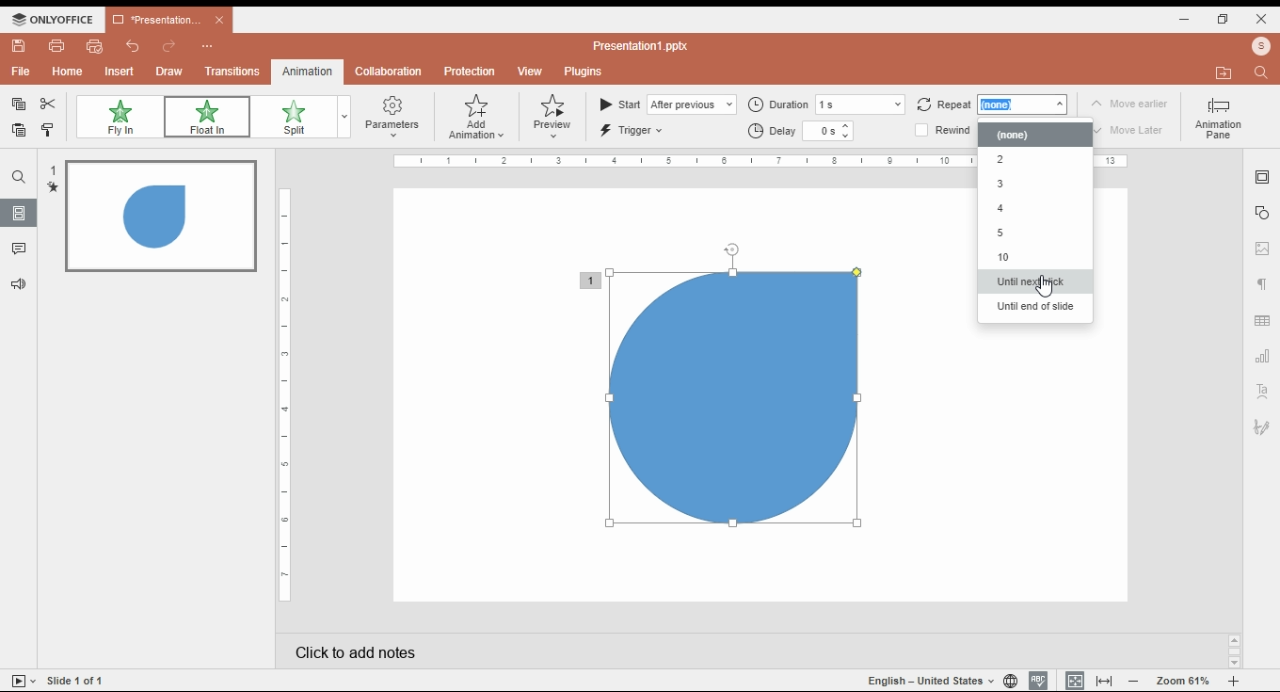  Describe the element at coordinates (19, 105) in the screenshot. I see `copy` at that location.